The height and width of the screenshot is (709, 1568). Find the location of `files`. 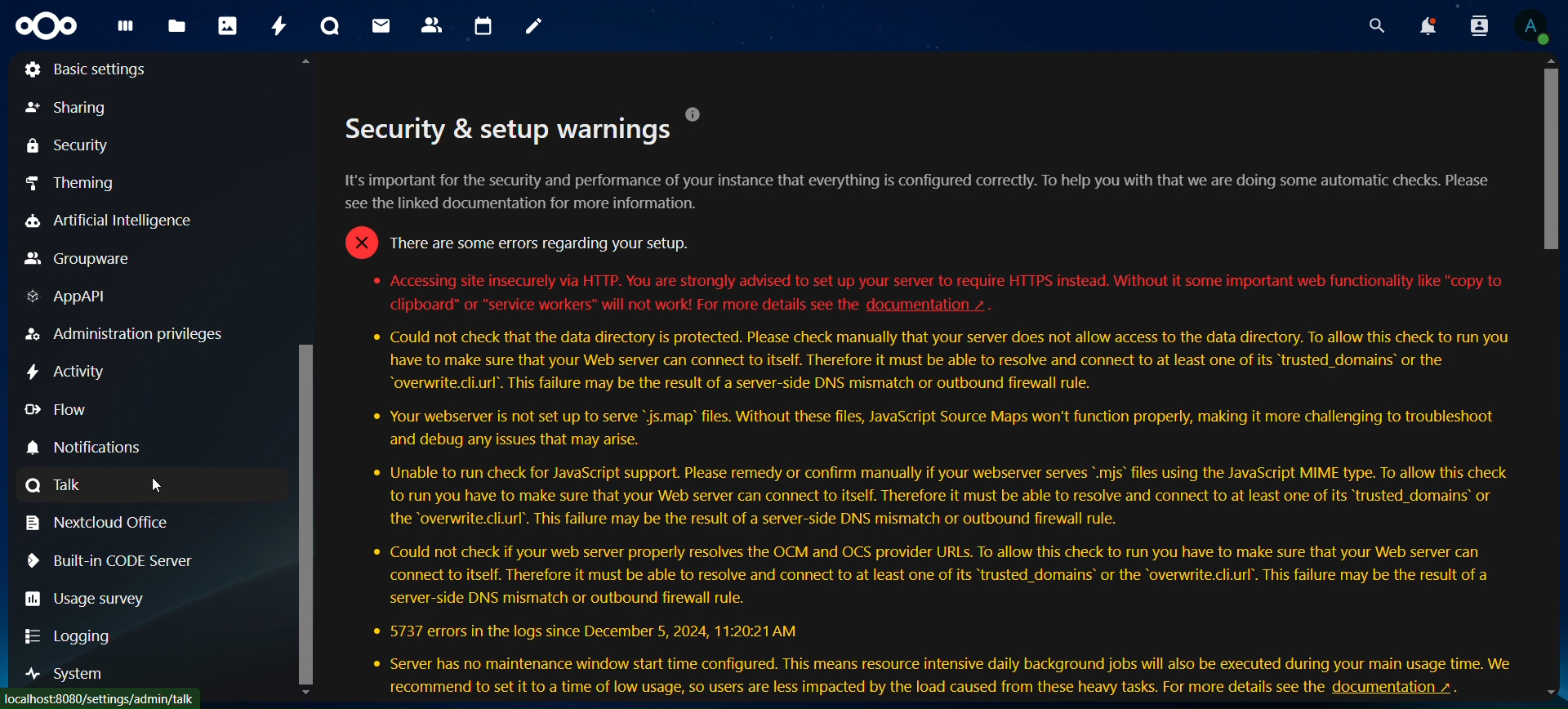

files is located at coordinates (180, 27).